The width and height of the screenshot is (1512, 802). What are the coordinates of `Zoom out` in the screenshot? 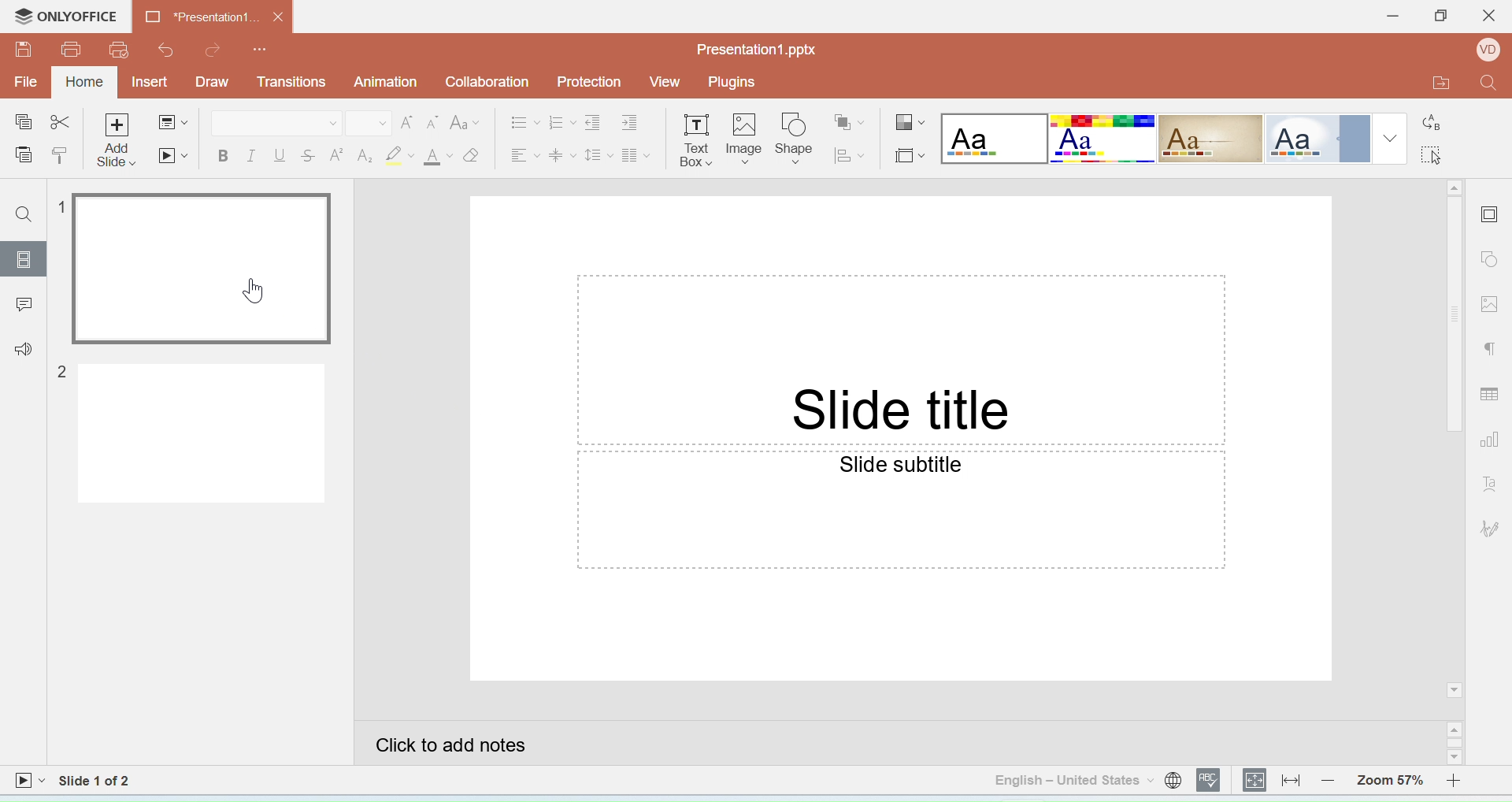 It's located at (1332, 779).